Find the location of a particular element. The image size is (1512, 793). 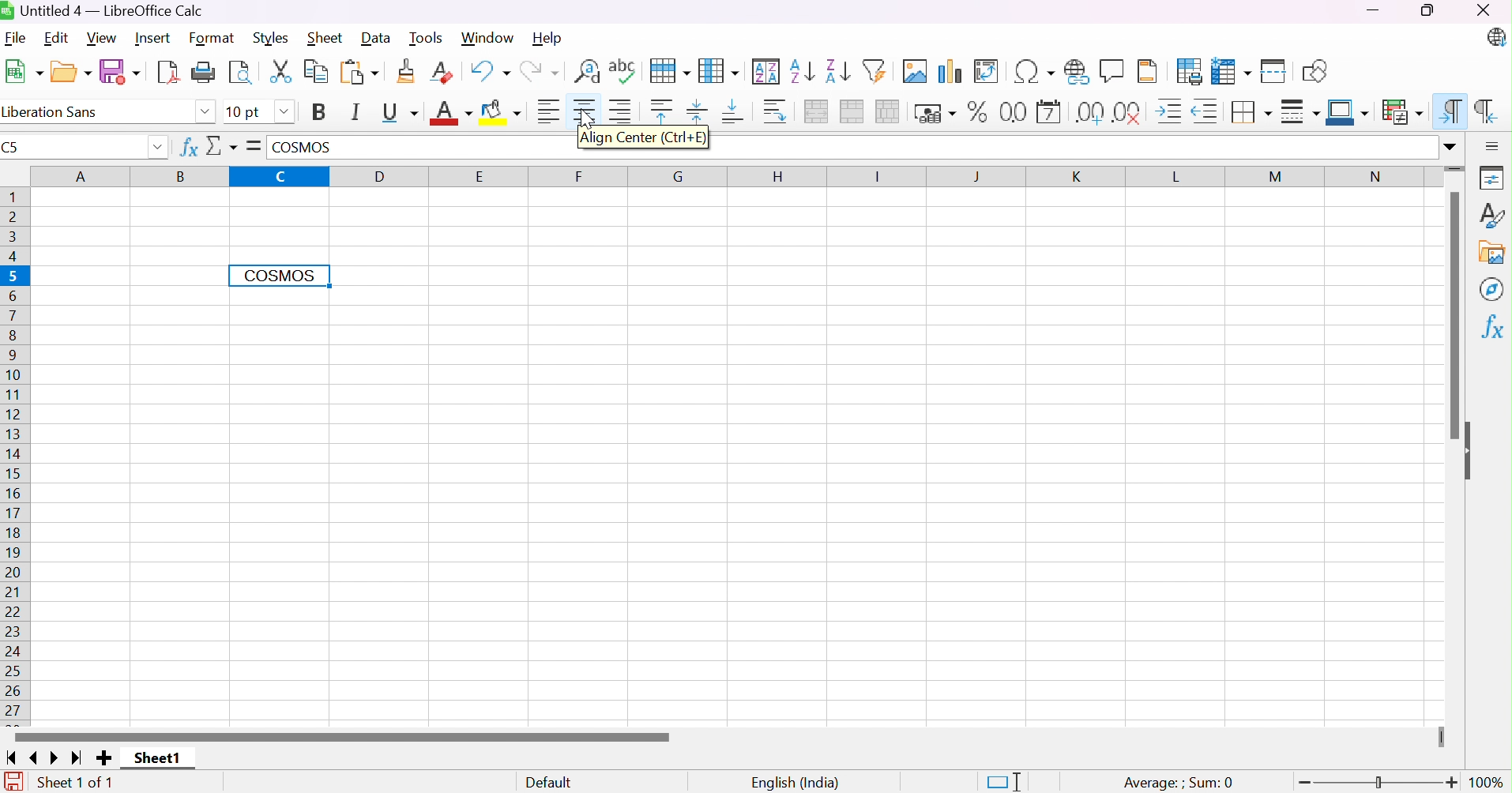

Borders is located at coordinates (1250, 113).